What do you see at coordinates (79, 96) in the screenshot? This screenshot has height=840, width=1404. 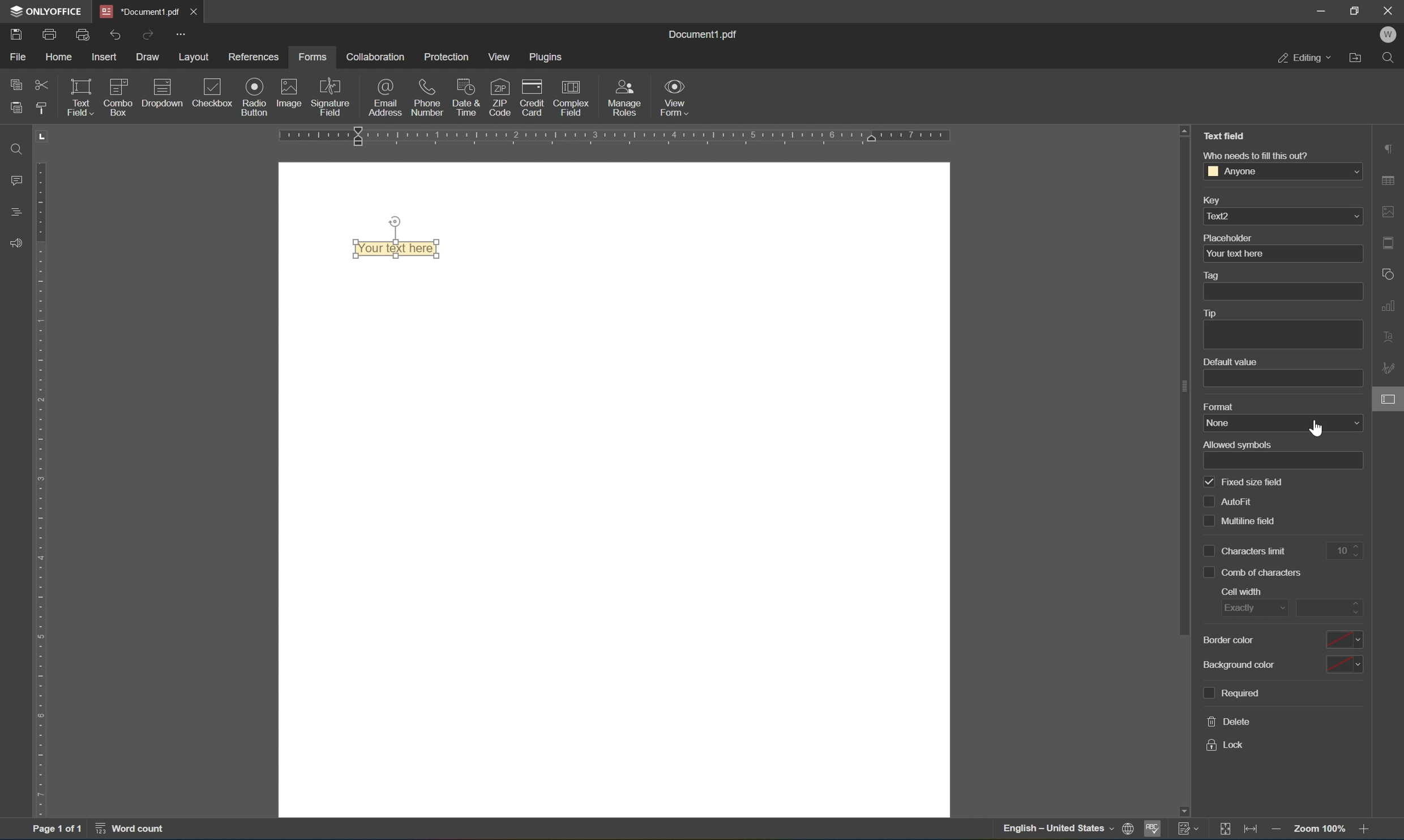 I see `text field` at bounding box center [79, 96].